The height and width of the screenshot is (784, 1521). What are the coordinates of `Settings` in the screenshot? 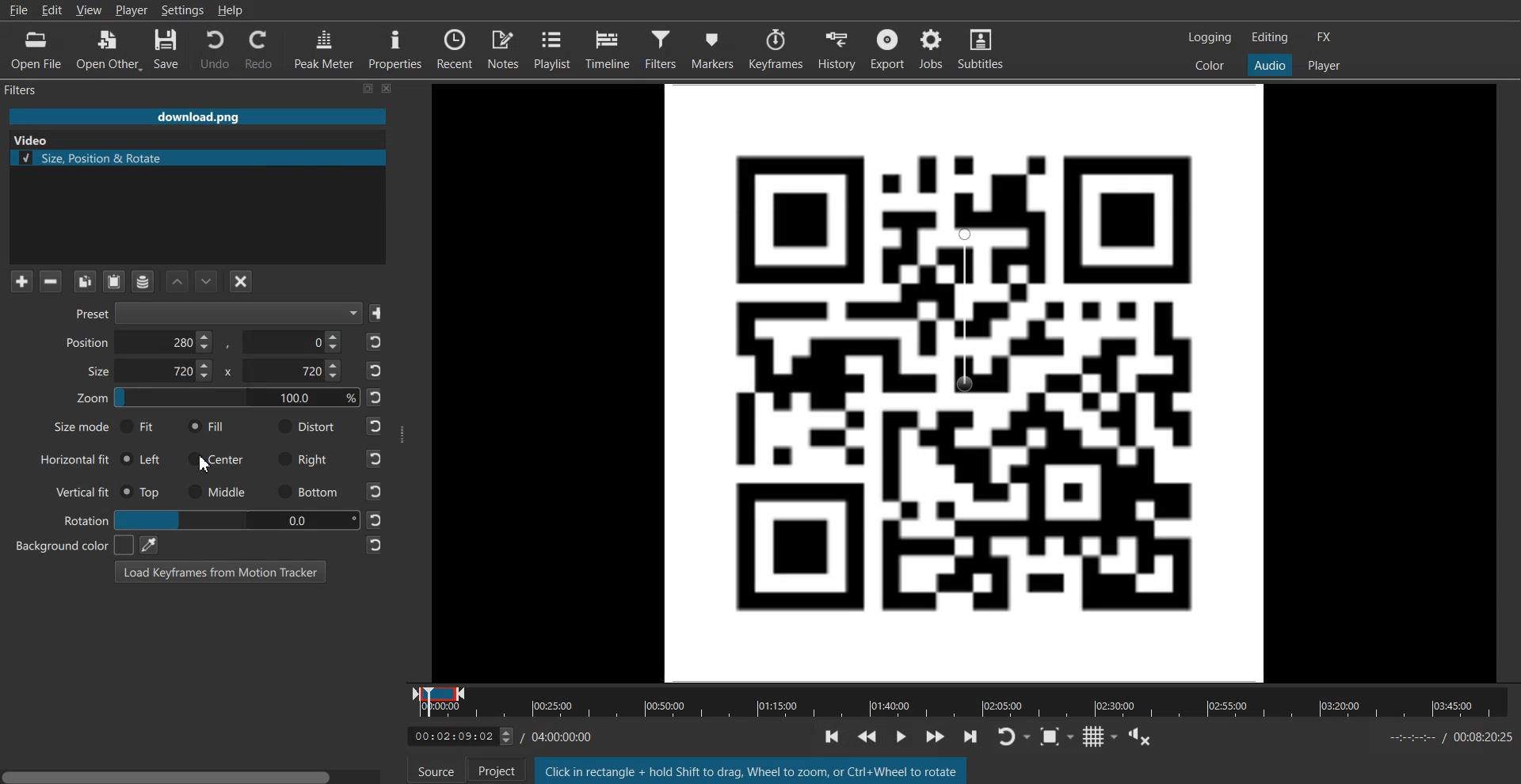 It's located at (183, 10).